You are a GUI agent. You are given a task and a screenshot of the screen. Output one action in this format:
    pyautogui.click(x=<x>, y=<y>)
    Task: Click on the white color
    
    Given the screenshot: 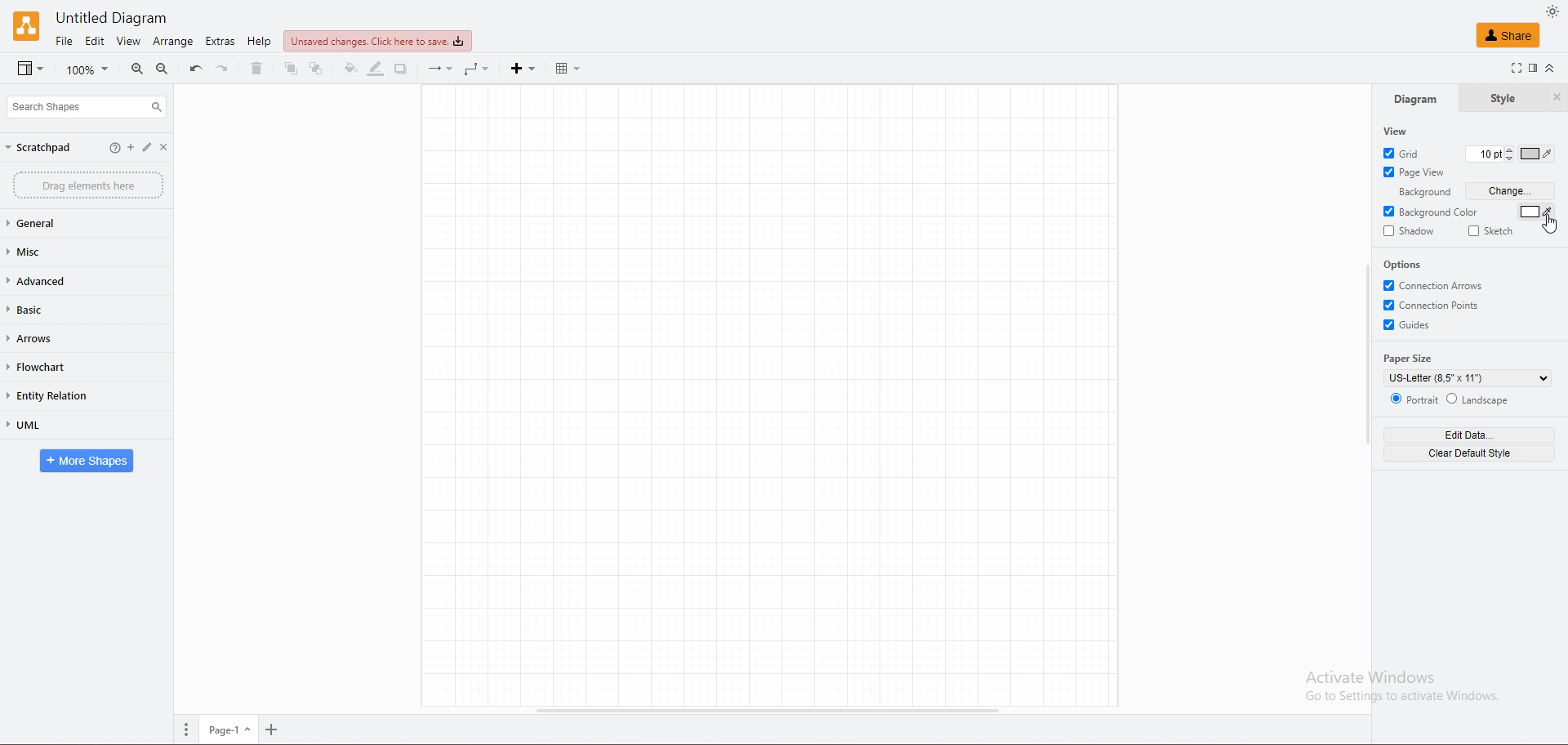 What is the action you would take?
    pyautogui.click(x=1538, y=212)
    